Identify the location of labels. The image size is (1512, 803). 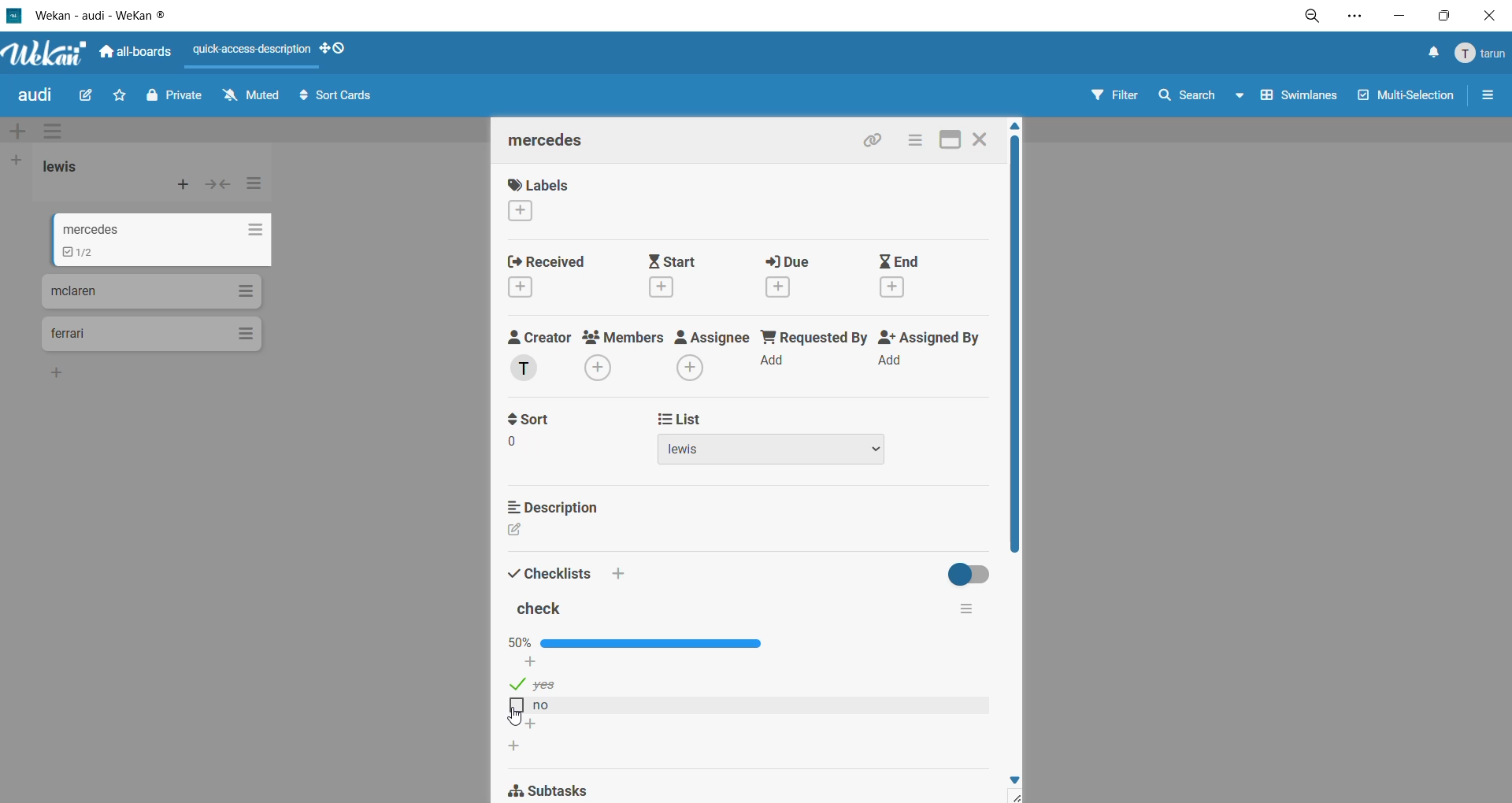
(551, 197).